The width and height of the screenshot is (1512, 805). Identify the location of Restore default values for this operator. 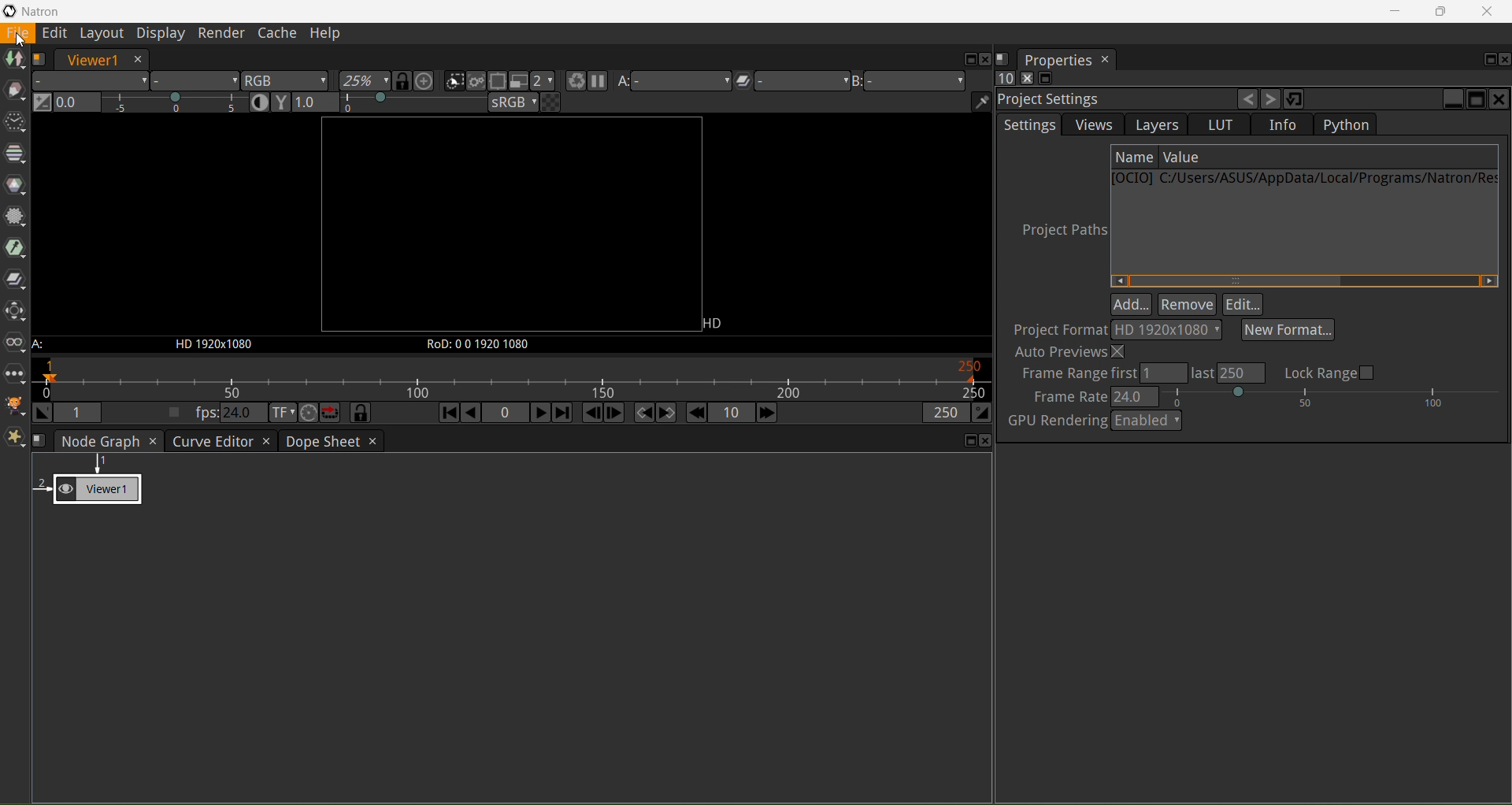
(1295, 98).